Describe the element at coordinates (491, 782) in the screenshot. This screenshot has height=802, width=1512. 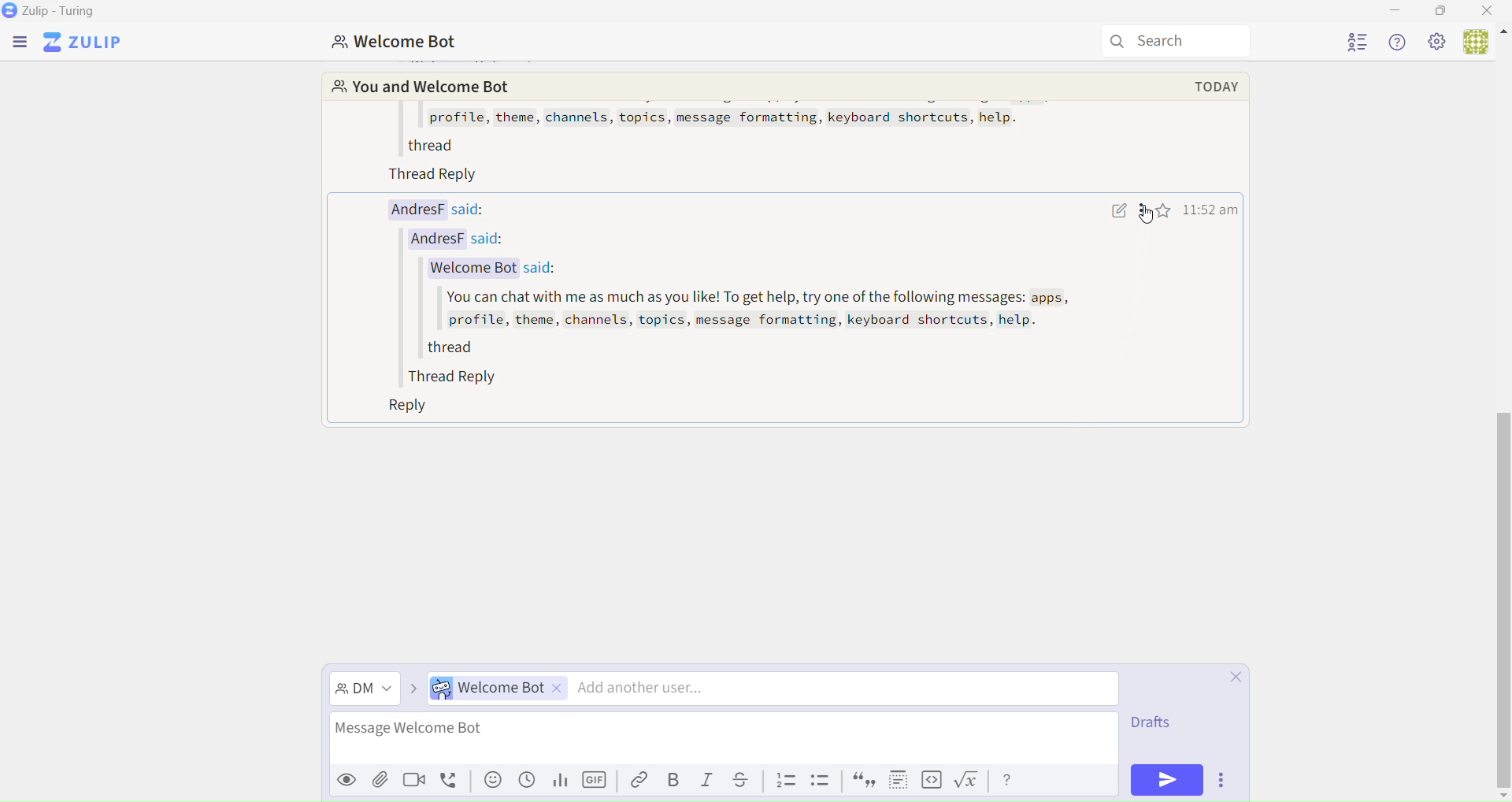
I see `emoji` at that location.